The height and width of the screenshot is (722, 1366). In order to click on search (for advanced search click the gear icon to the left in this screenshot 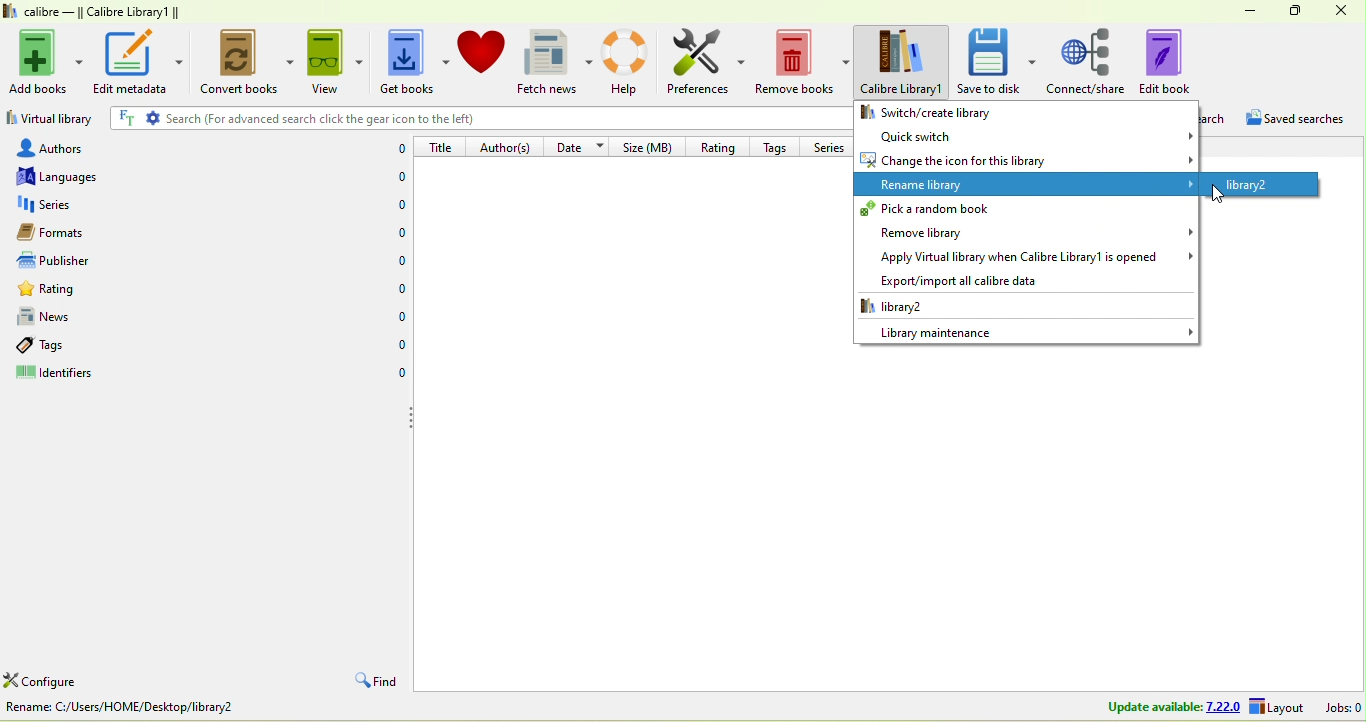, I will do `click(474, 118)`.